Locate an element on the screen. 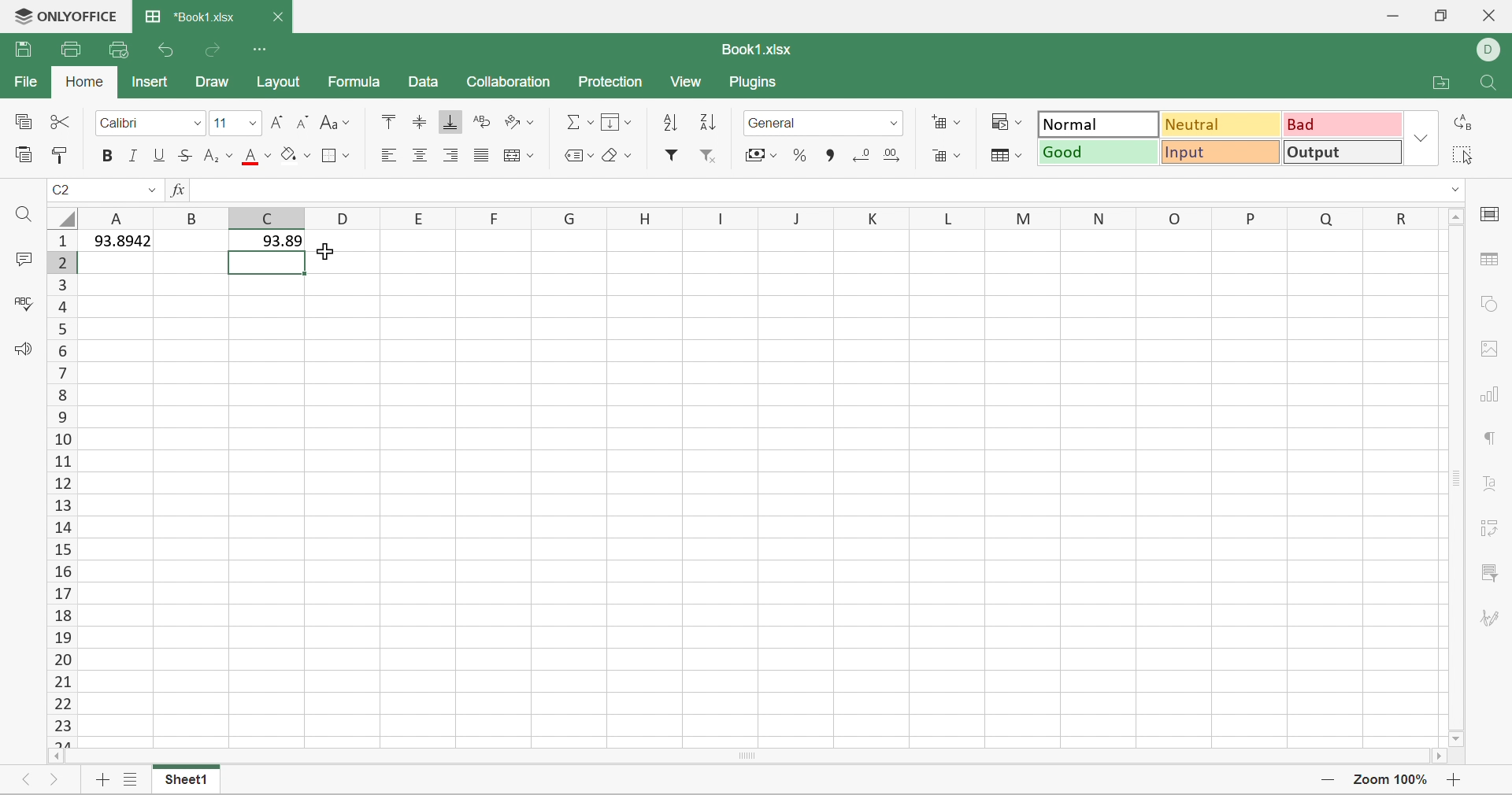 This screenshot has height=795, width=1512. Copy Style is located at coordinates (65, 156).